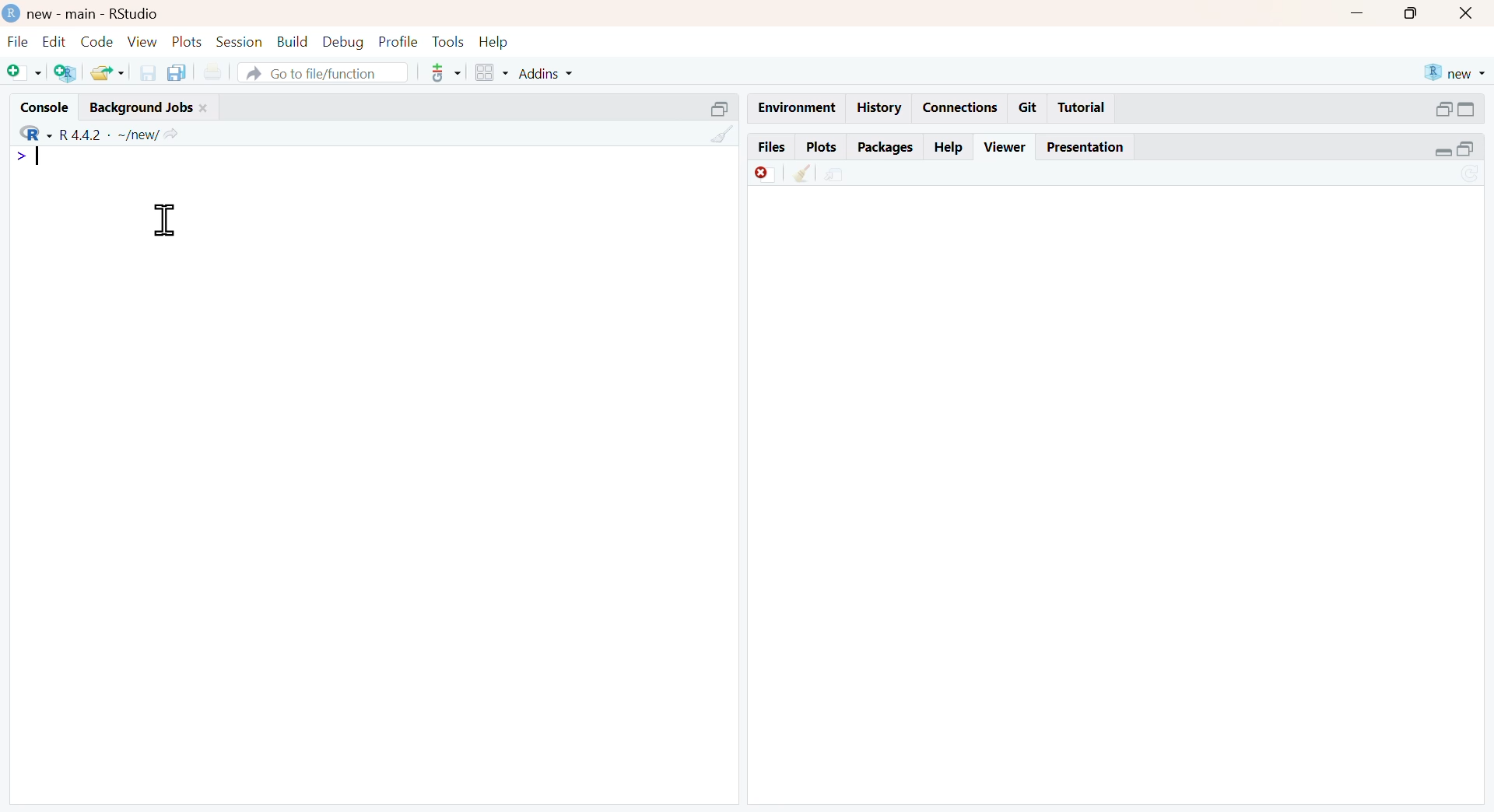 Image resolution: width=1494 pixels, height=812 pixels. What do you see at coordinates (1417, 16) in the screenshot?
I see `maximize window` at bounding box center [1417, 16].